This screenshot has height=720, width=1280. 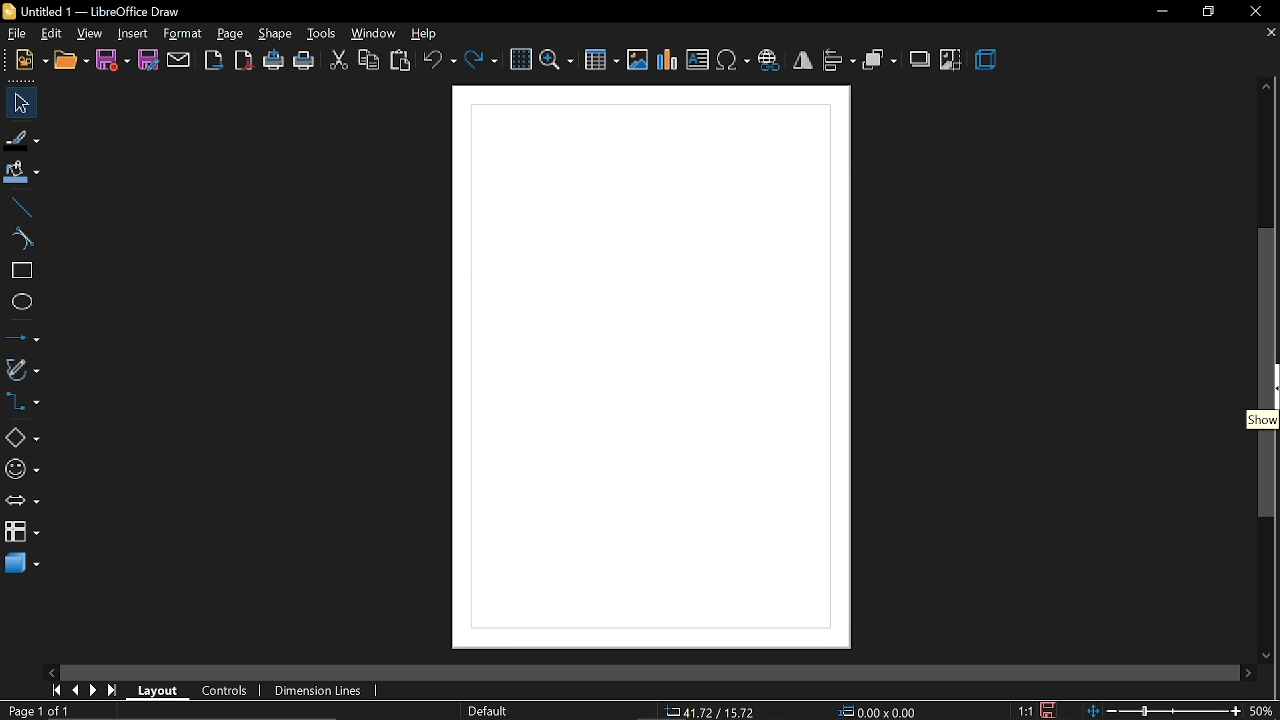 I want to click on symbol shapes, so click(x=23, y=472).